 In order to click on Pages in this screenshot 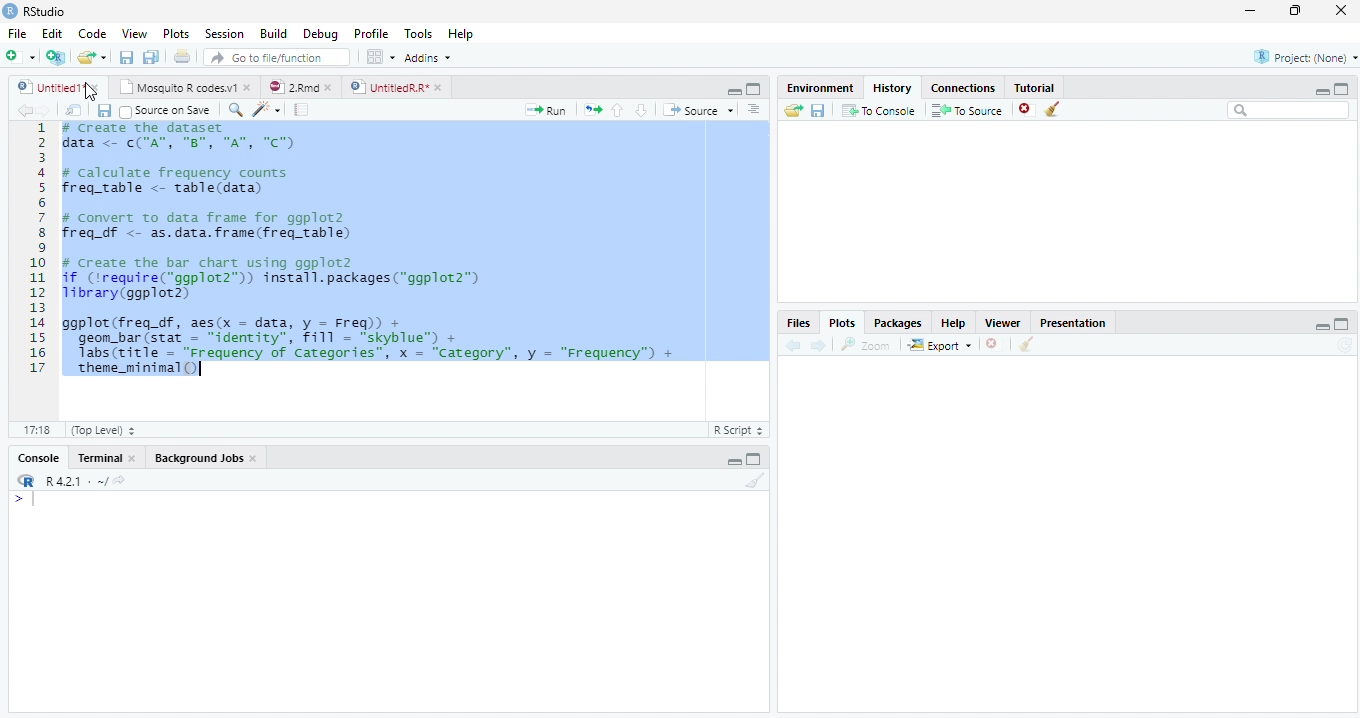, I will do `click(593, 110)`.